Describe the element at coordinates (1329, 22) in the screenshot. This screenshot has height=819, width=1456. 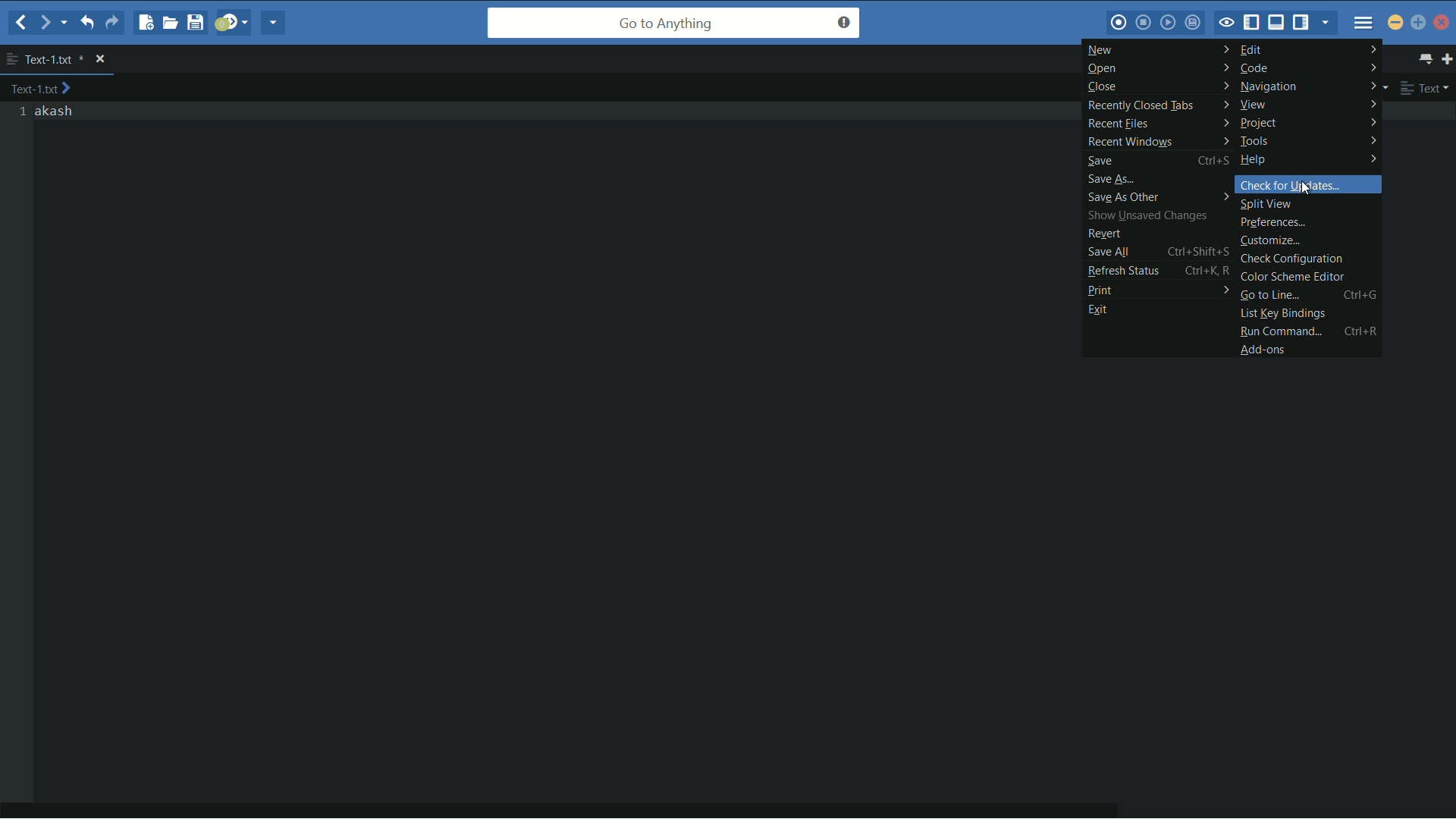
I see `show specific sidebar/tab` at that location.